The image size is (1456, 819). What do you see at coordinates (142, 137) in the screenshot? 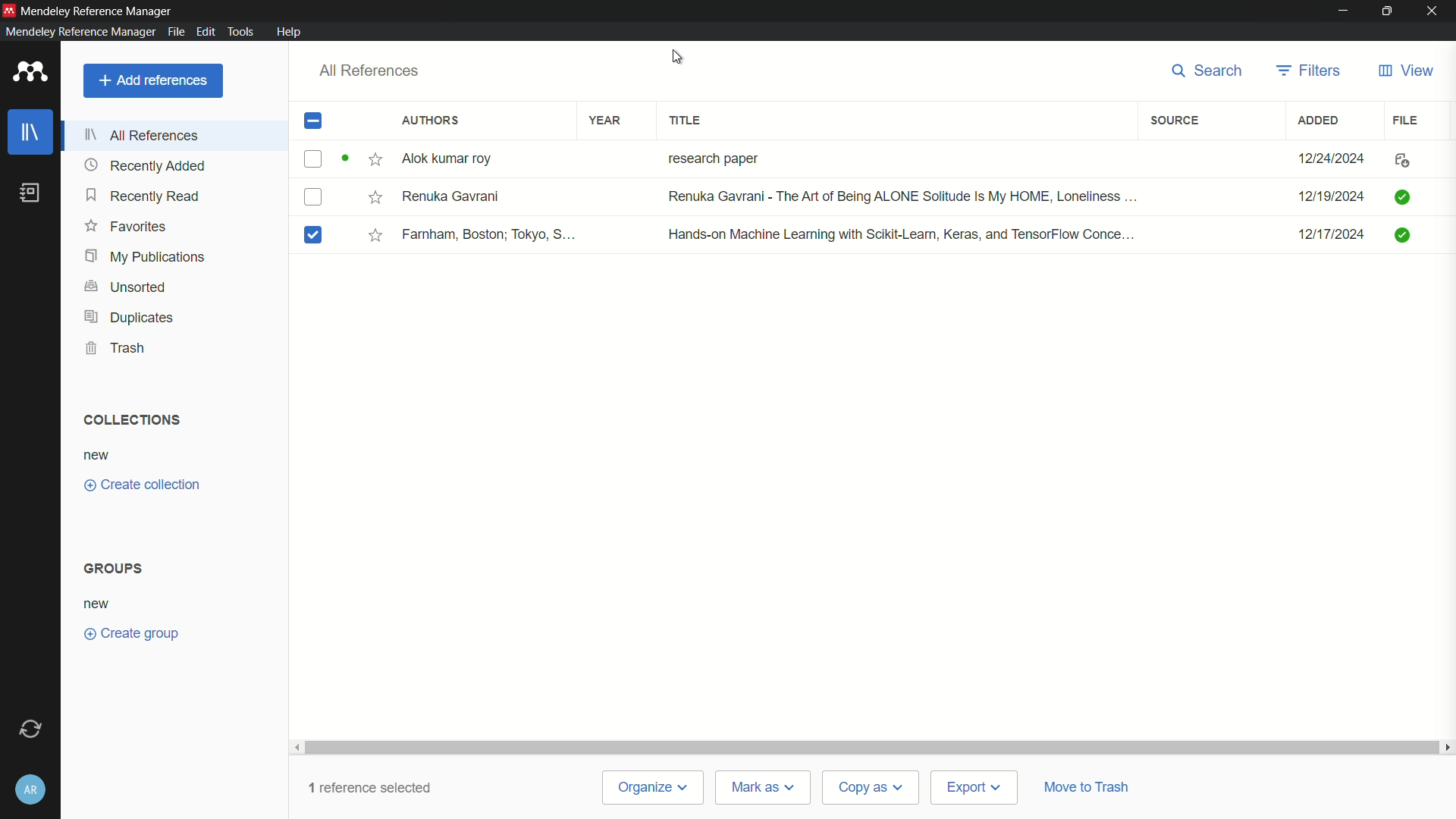
I see `all references` at bounding box center [142, 137].